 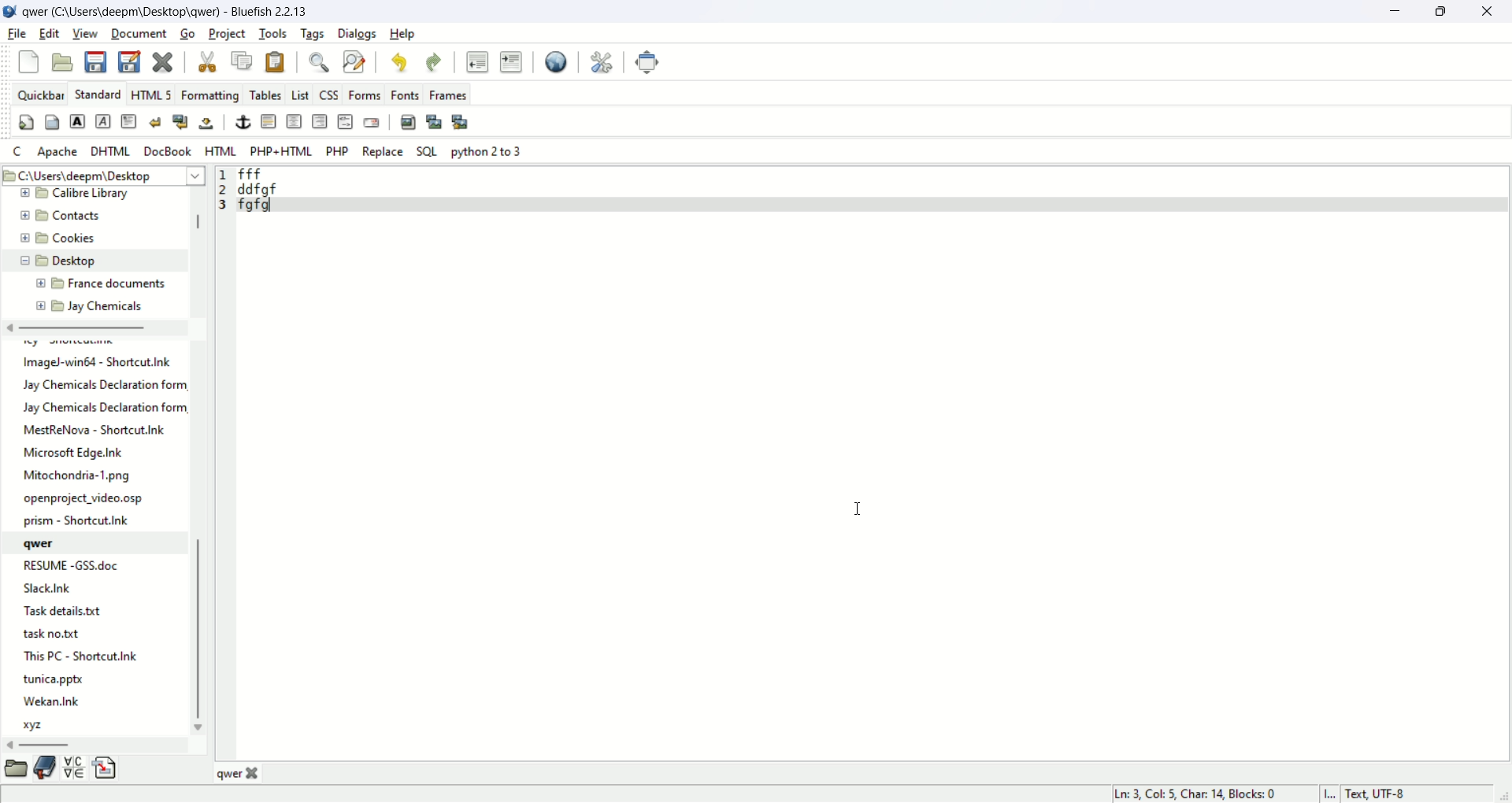 What do you see at coordinates (1382, 794) in the screenshot?
I see `text, UTF-8` at bounding box center [1382, 794].